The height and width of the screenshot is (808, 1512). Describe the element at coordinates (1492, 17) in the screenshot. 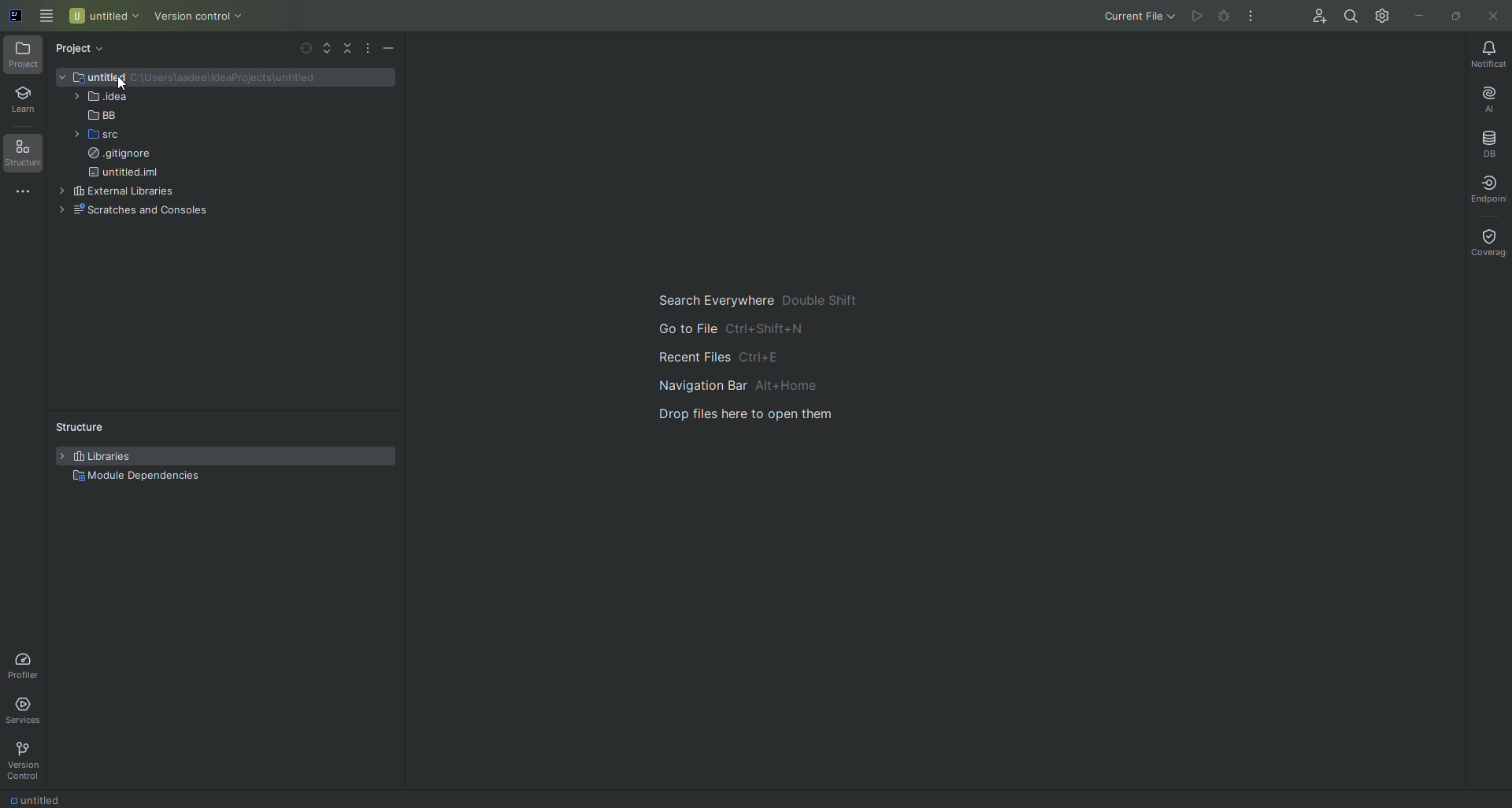

I see `Close` at that location.